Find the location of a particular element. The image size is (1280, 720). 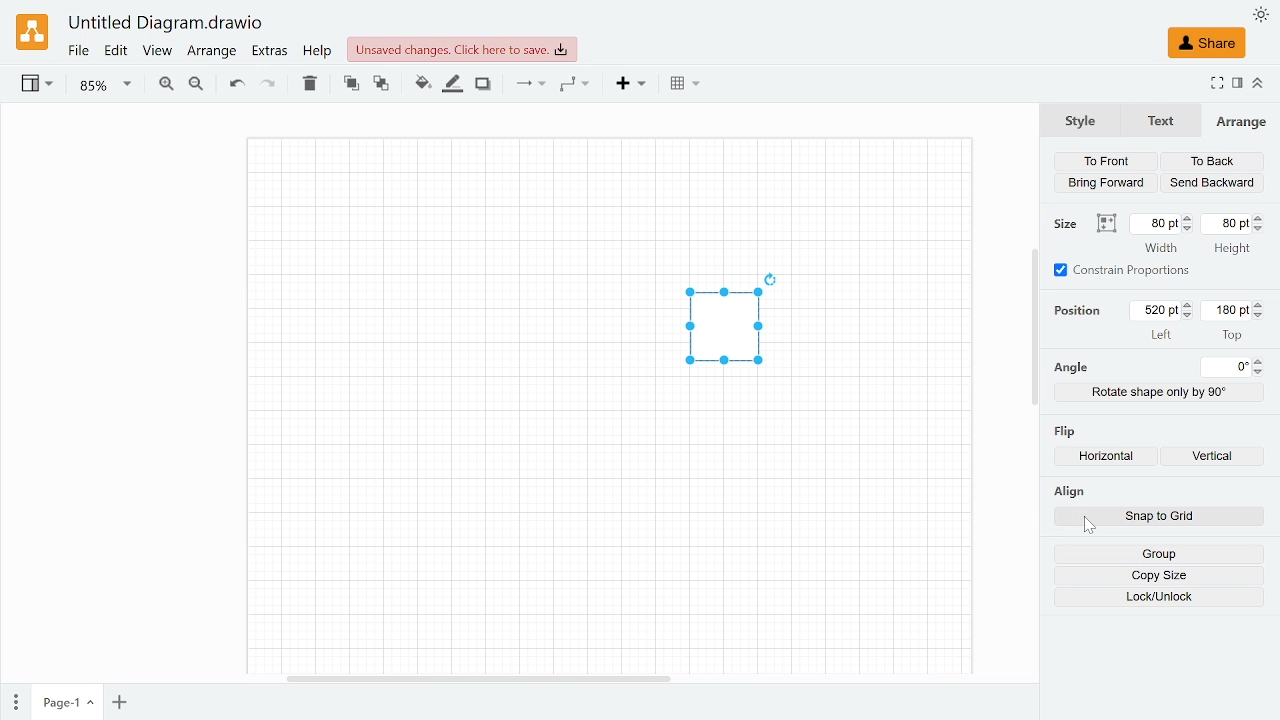

To front is located at coordinates (1105, 161).